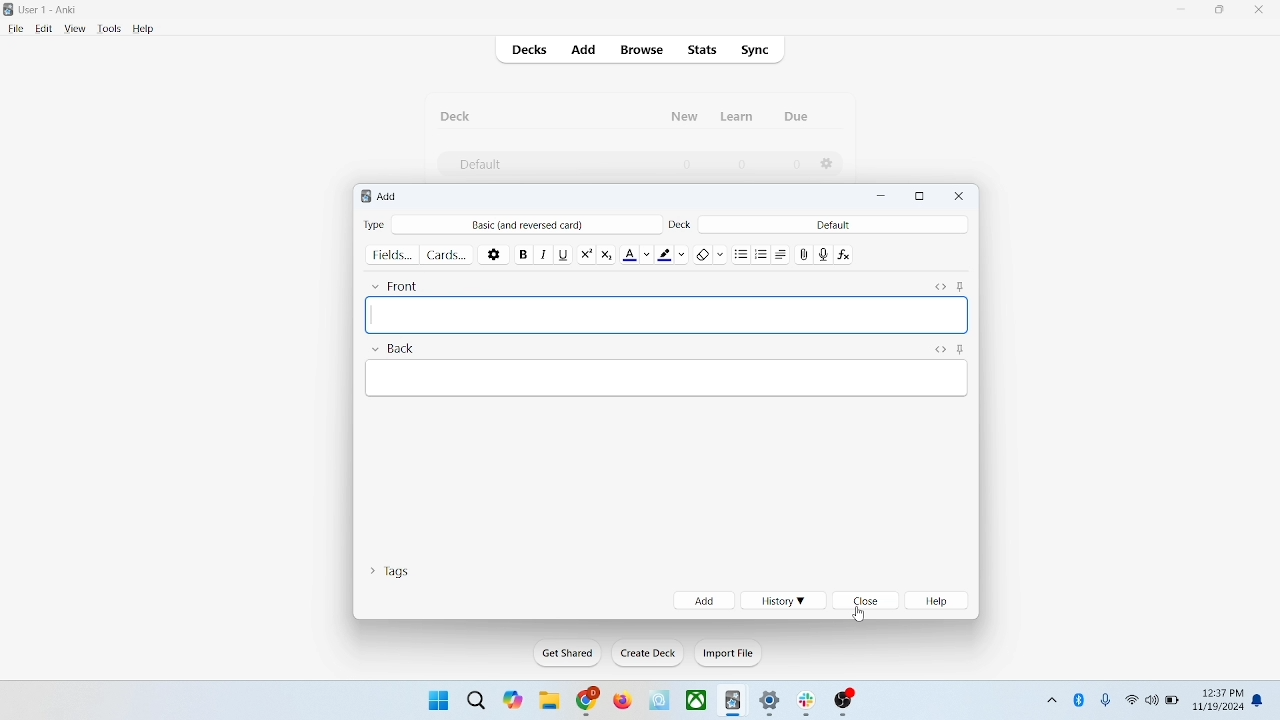 This screenshot has width=1280, height=720. Describe the element at coordinates (15, 29) in the screenshot. I see `file` at that location.